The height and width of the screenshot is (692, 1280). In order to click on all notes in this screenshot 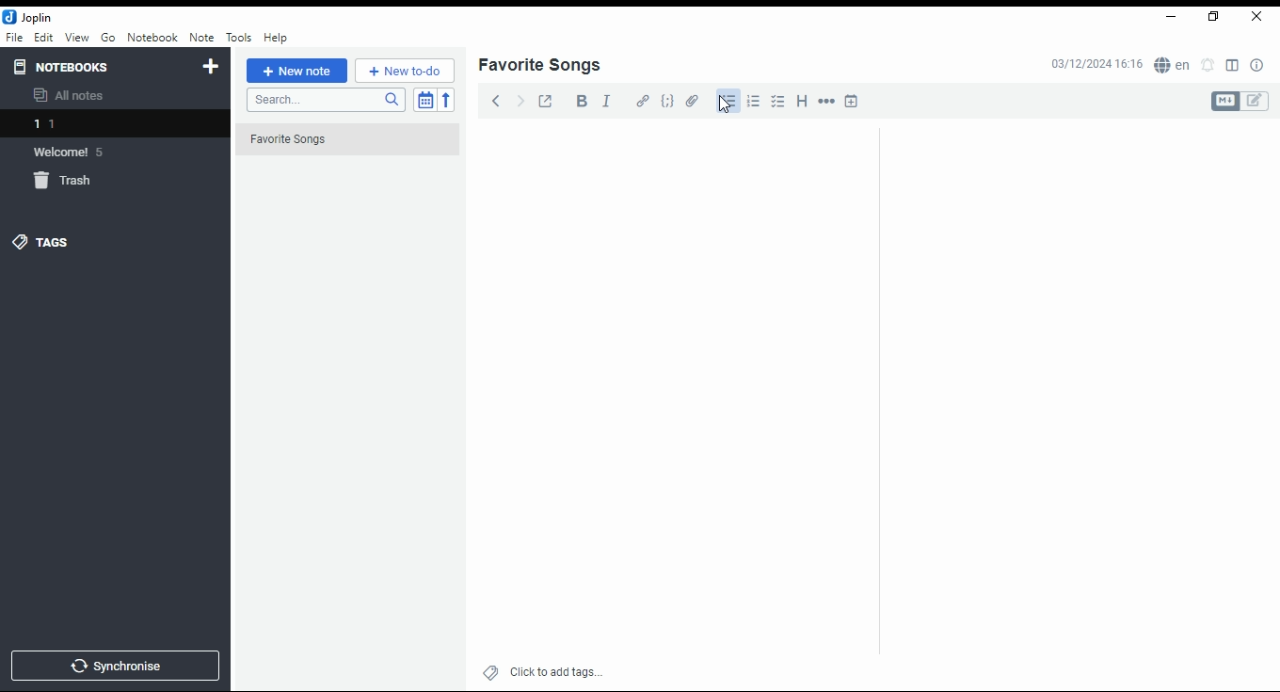, I will do `click(74, 96)`.